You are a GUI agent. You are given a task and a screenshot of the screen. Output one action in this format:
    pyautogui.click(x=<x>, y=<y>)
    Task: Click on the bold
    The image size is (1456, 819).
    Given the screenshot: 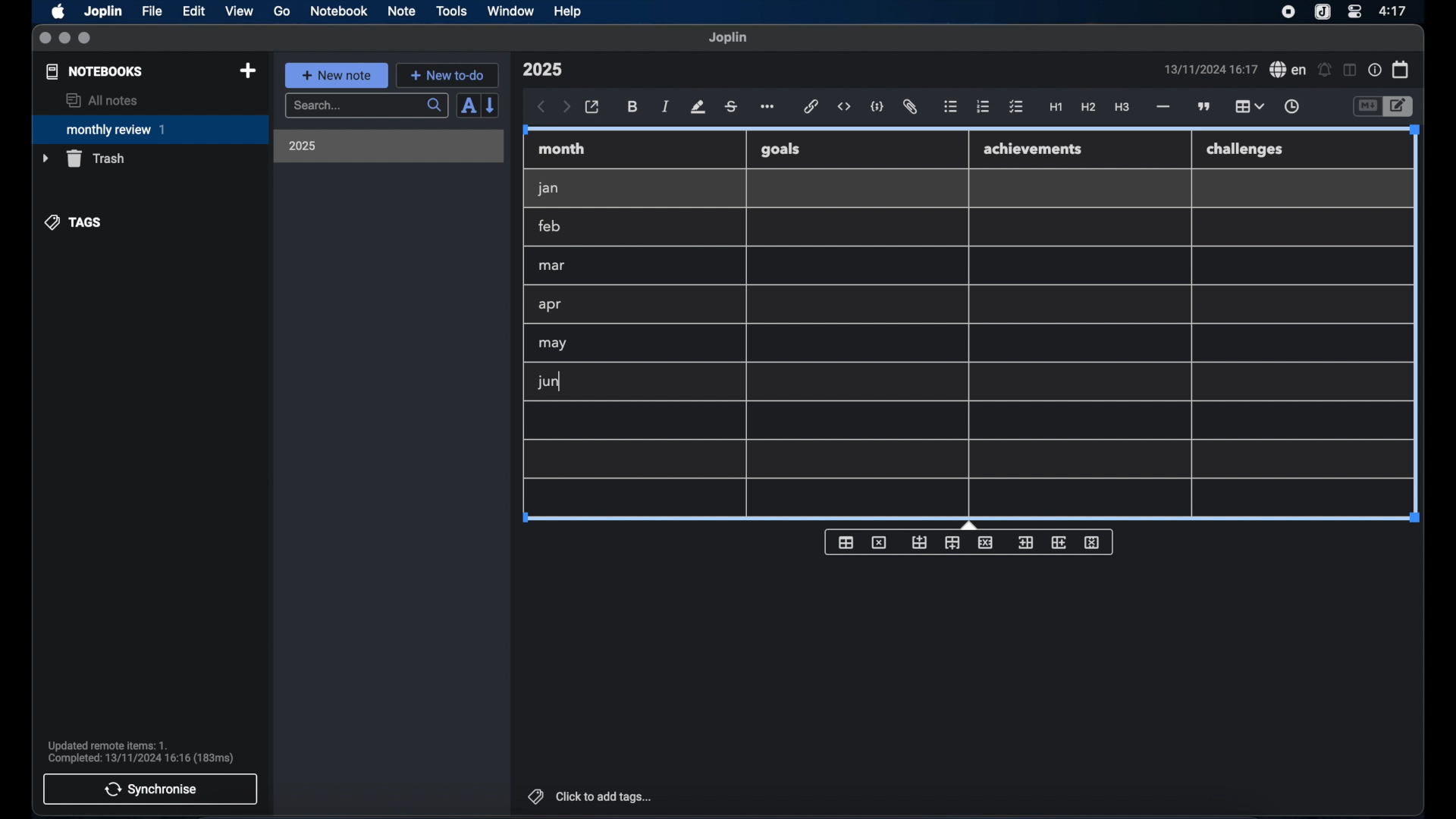 What is the action you would take?
    pyautogui.click(x=634, y=107)
    